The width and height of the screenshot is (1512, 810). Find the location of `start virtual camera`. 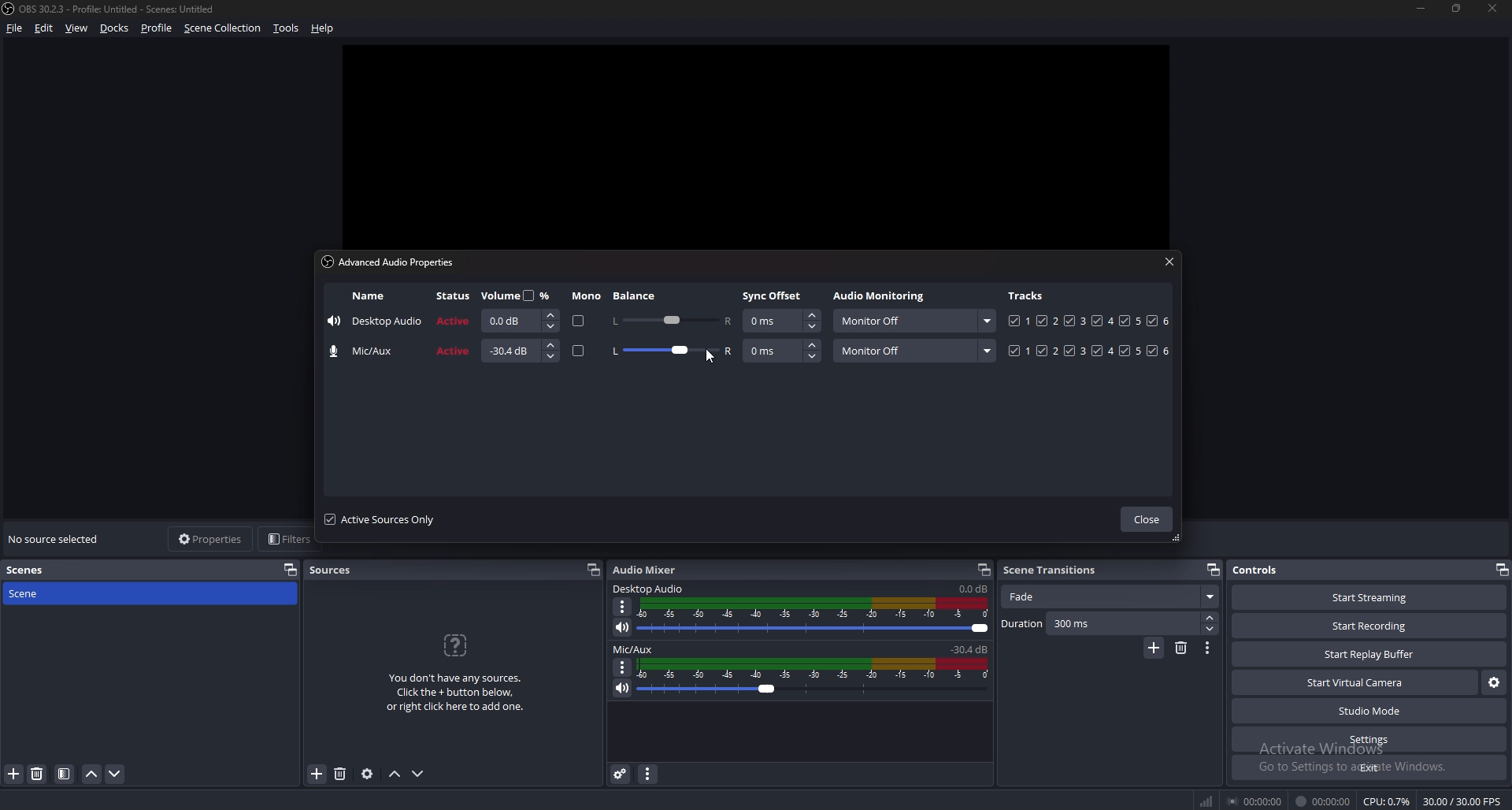

start virtual camera is located at coordinates (1356, 683).